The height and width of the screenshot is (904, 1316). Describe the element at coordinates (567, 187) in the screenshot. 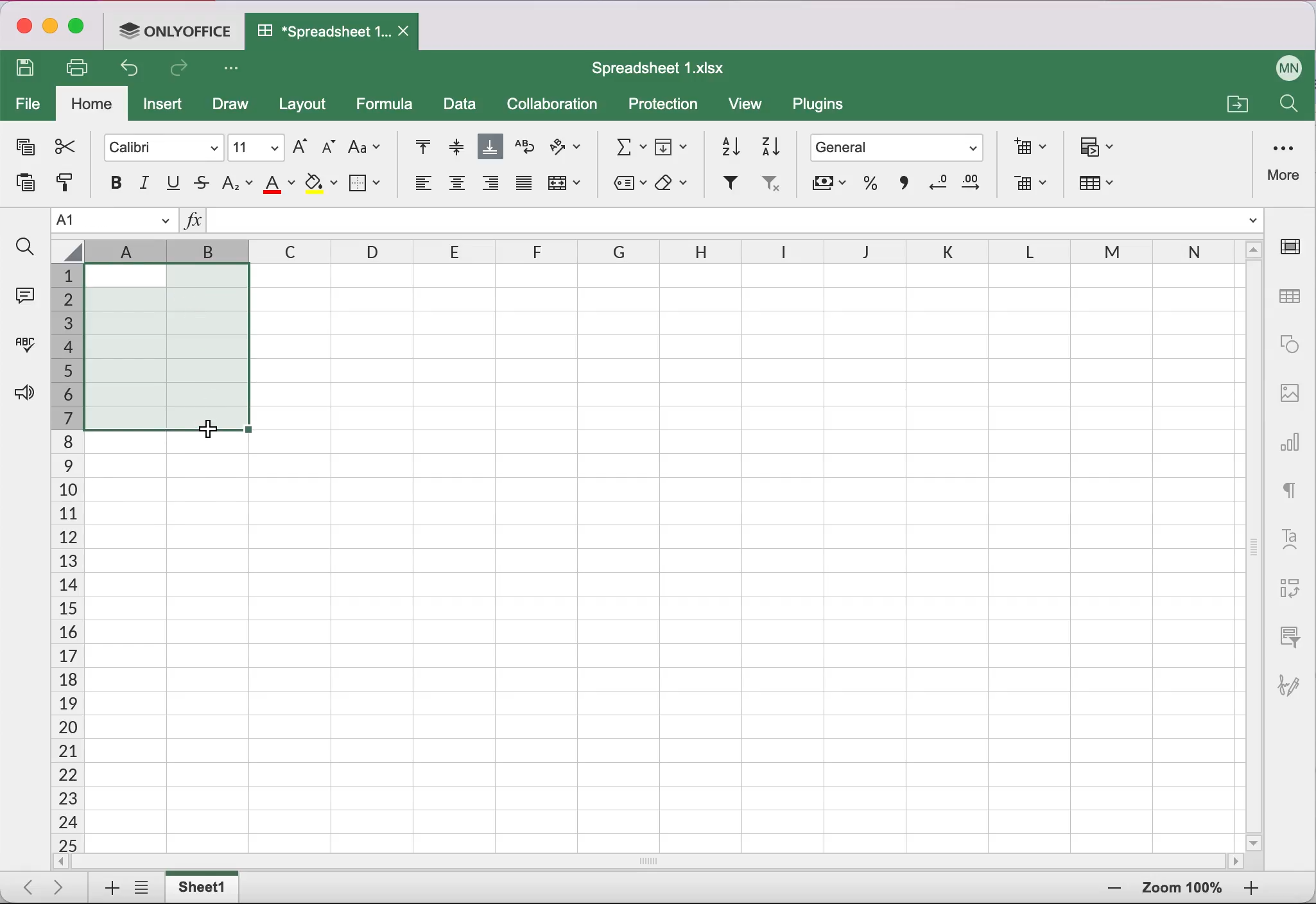

I see `merge and center` at that location.